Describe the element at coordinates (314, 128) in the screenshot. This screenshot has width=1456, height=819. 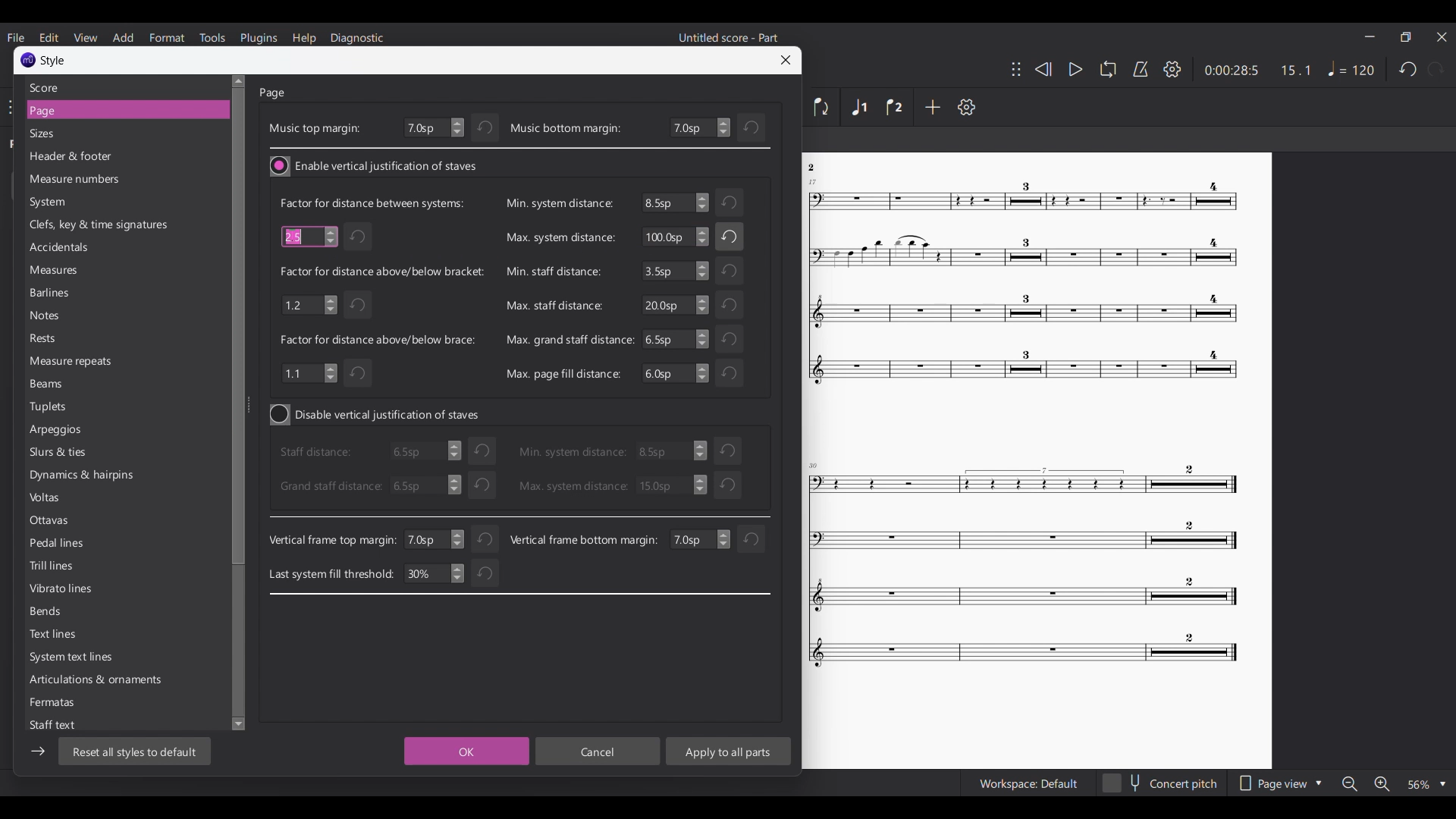
I see `Music top margin` at that location.